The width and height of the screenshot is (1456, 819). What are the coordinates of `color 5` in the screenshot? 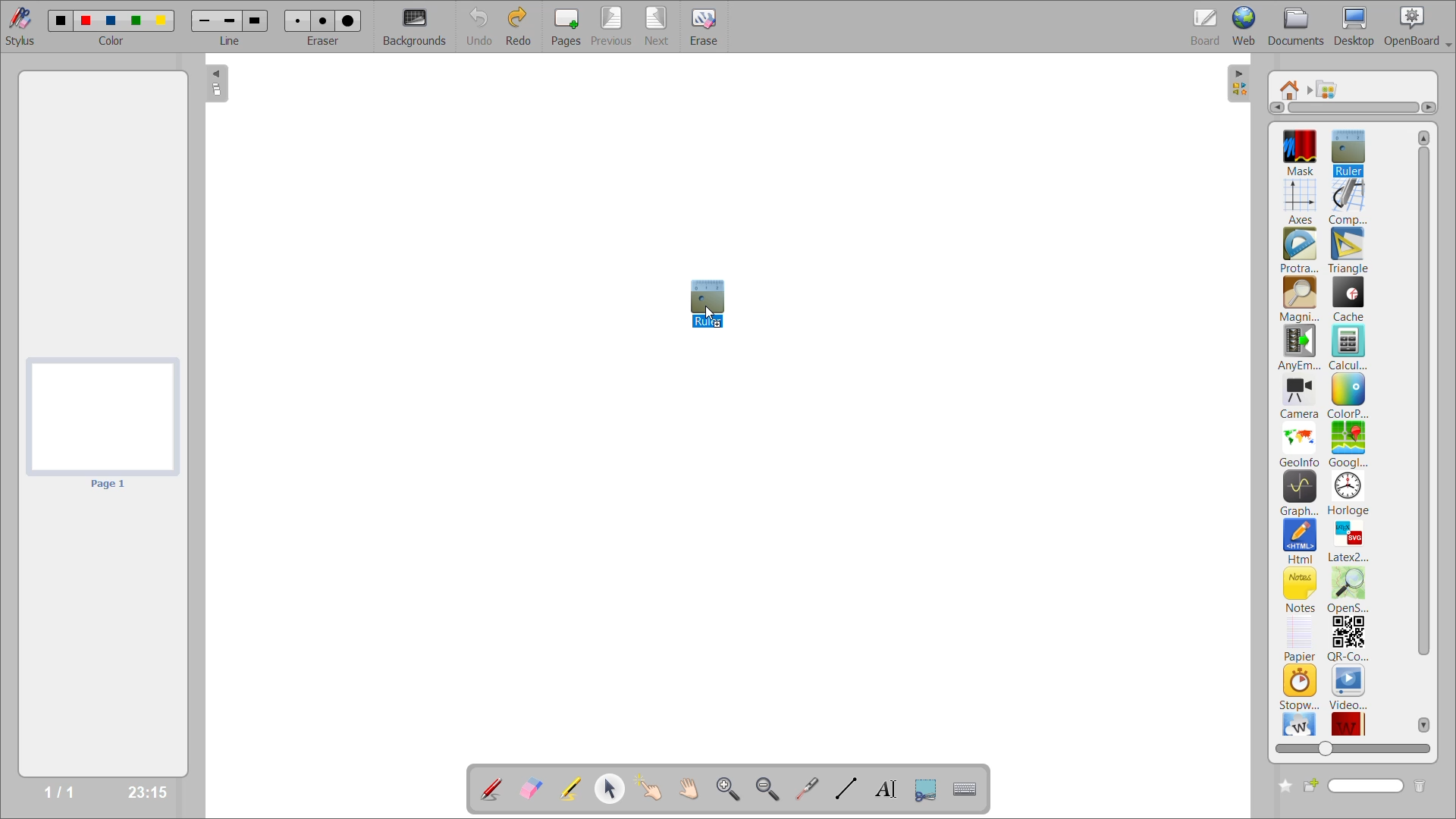 It's located at (159, 20).